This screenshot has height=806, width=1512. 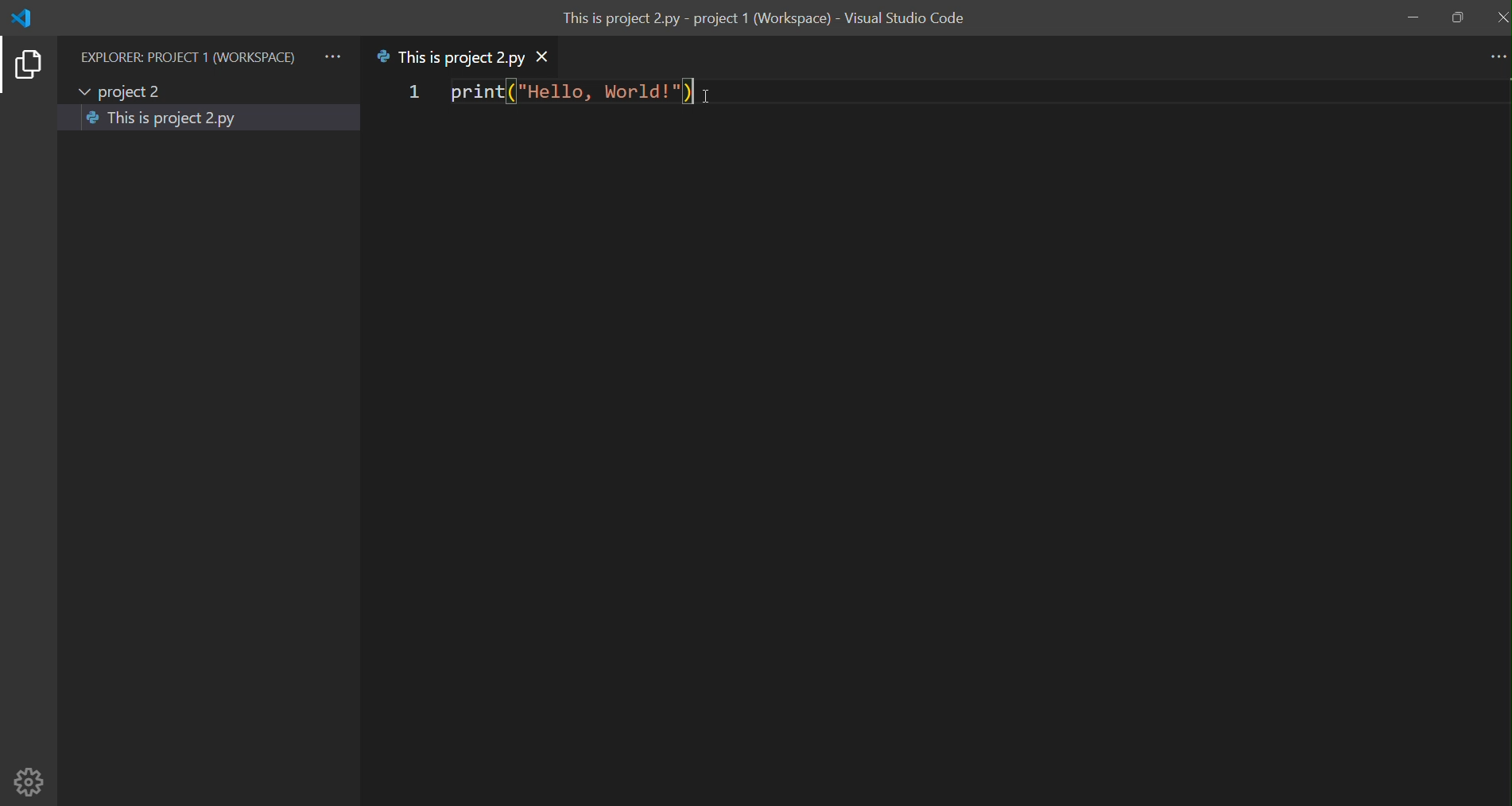 What do you see at coordinates (568, 91) in the screenshot?
I see `code` at bounding box center [568, 91].